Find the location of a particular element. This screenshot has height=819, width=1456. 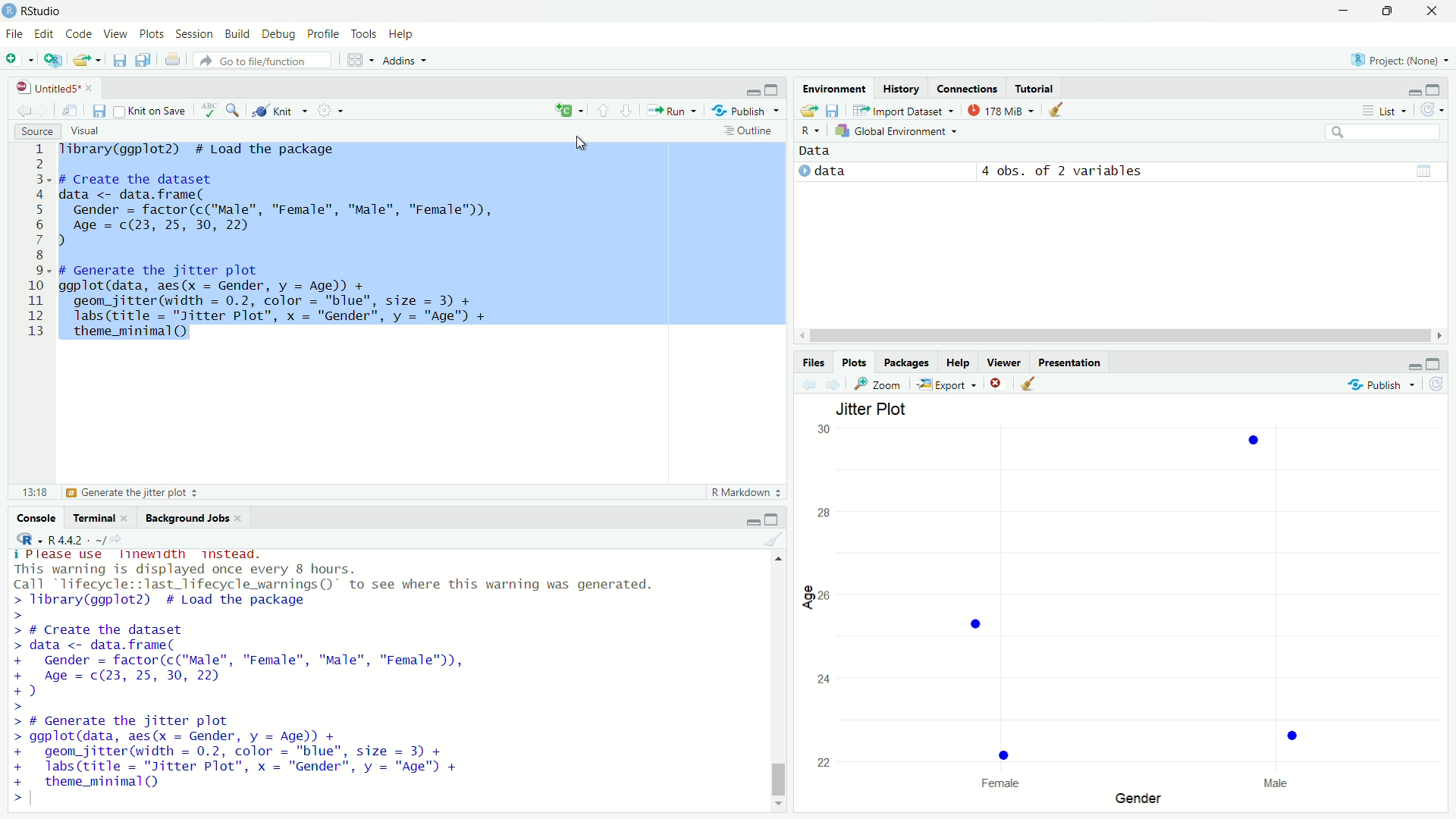

4 obs. of 2 variables is located at coordinates (1062, 169).